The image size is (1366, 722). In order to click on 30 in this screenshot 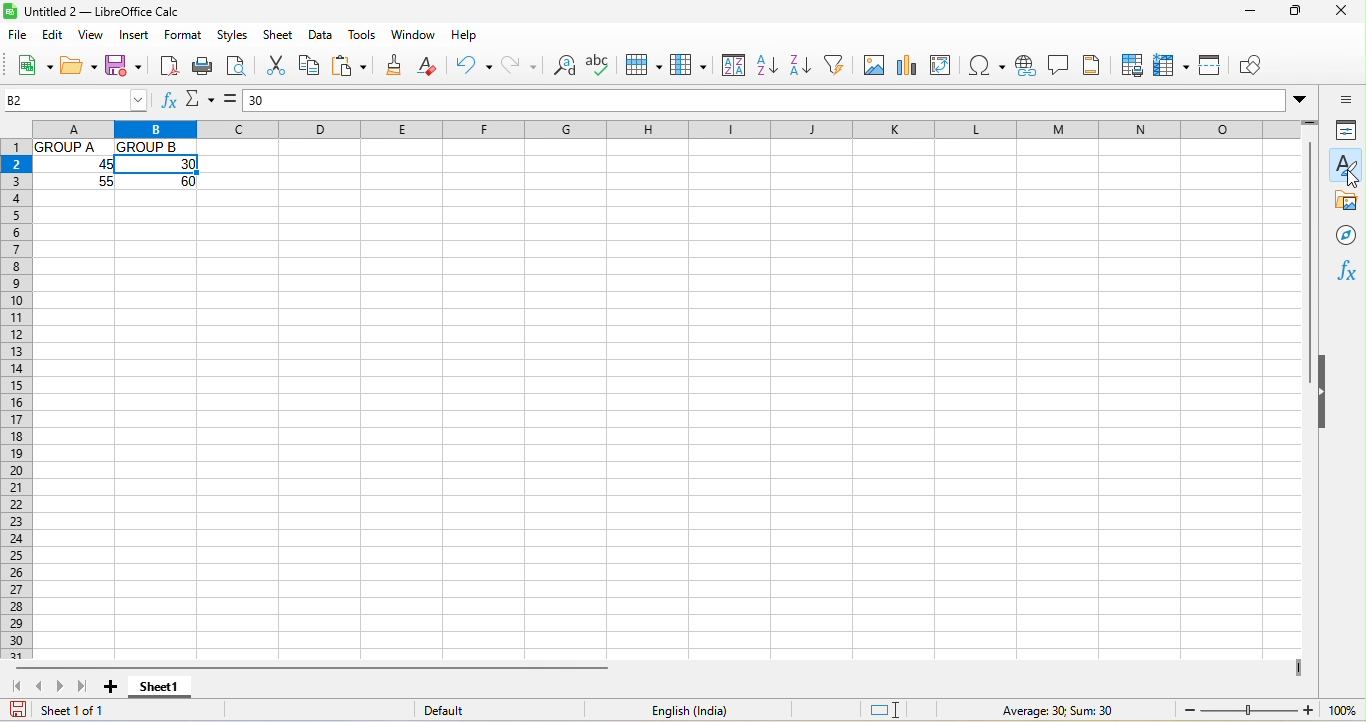, I will do `click(775, 100)`.